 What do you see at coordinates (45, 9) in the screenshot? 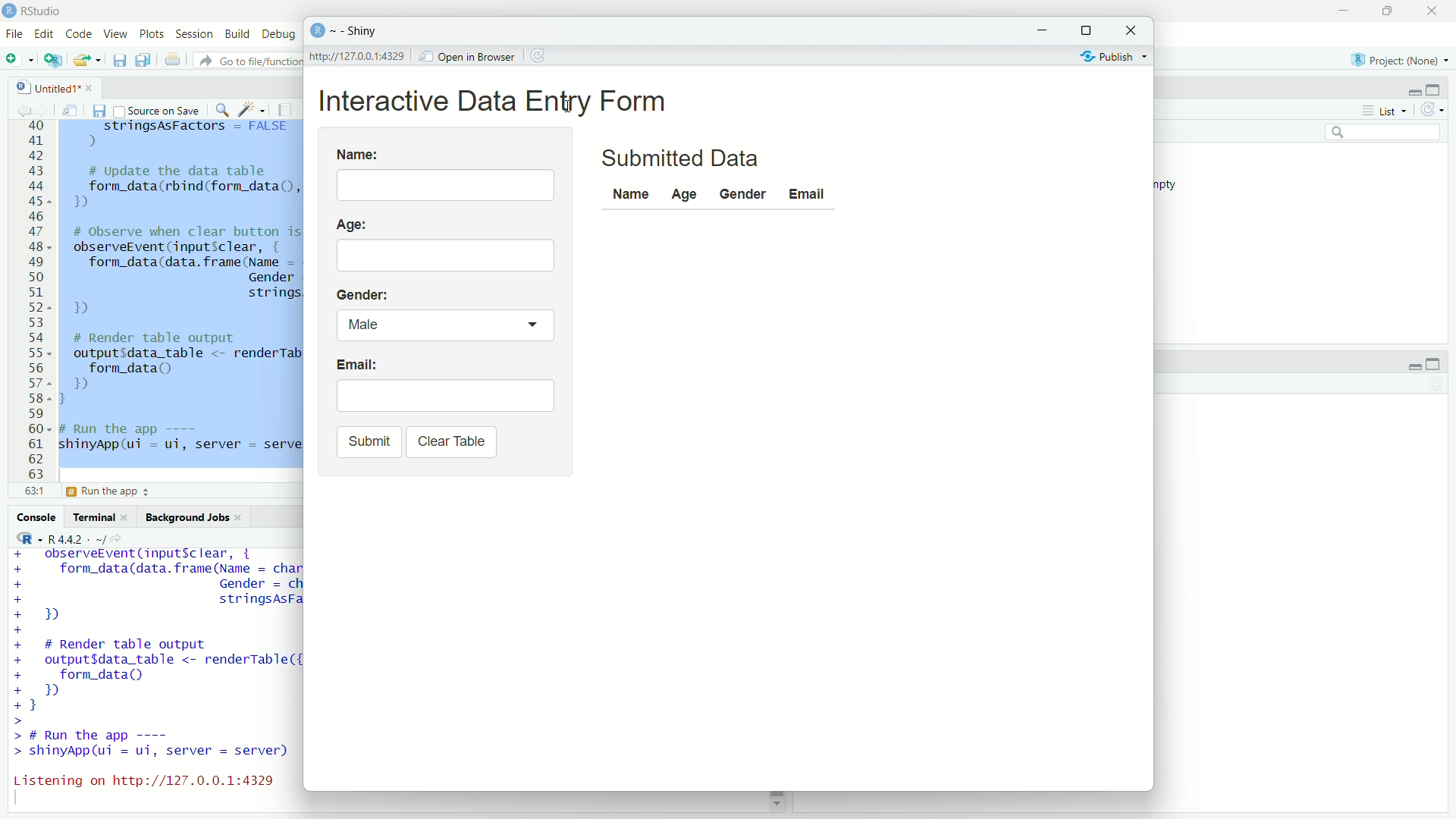
I see `RStudio` at bounding box center [45, 9].